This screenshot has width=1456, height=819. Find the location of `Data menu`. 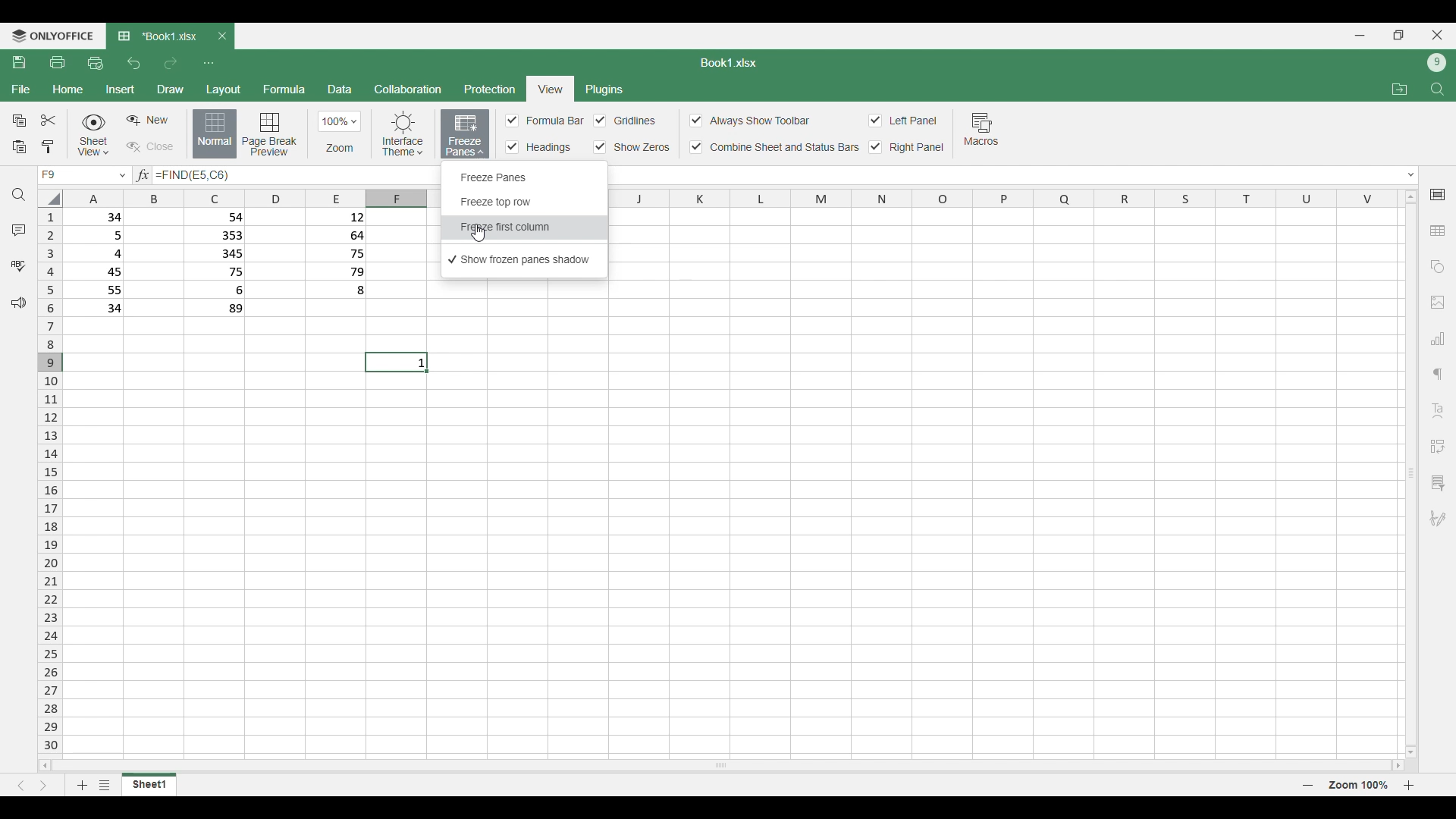

Data menu is located at coordinates (340, 89).